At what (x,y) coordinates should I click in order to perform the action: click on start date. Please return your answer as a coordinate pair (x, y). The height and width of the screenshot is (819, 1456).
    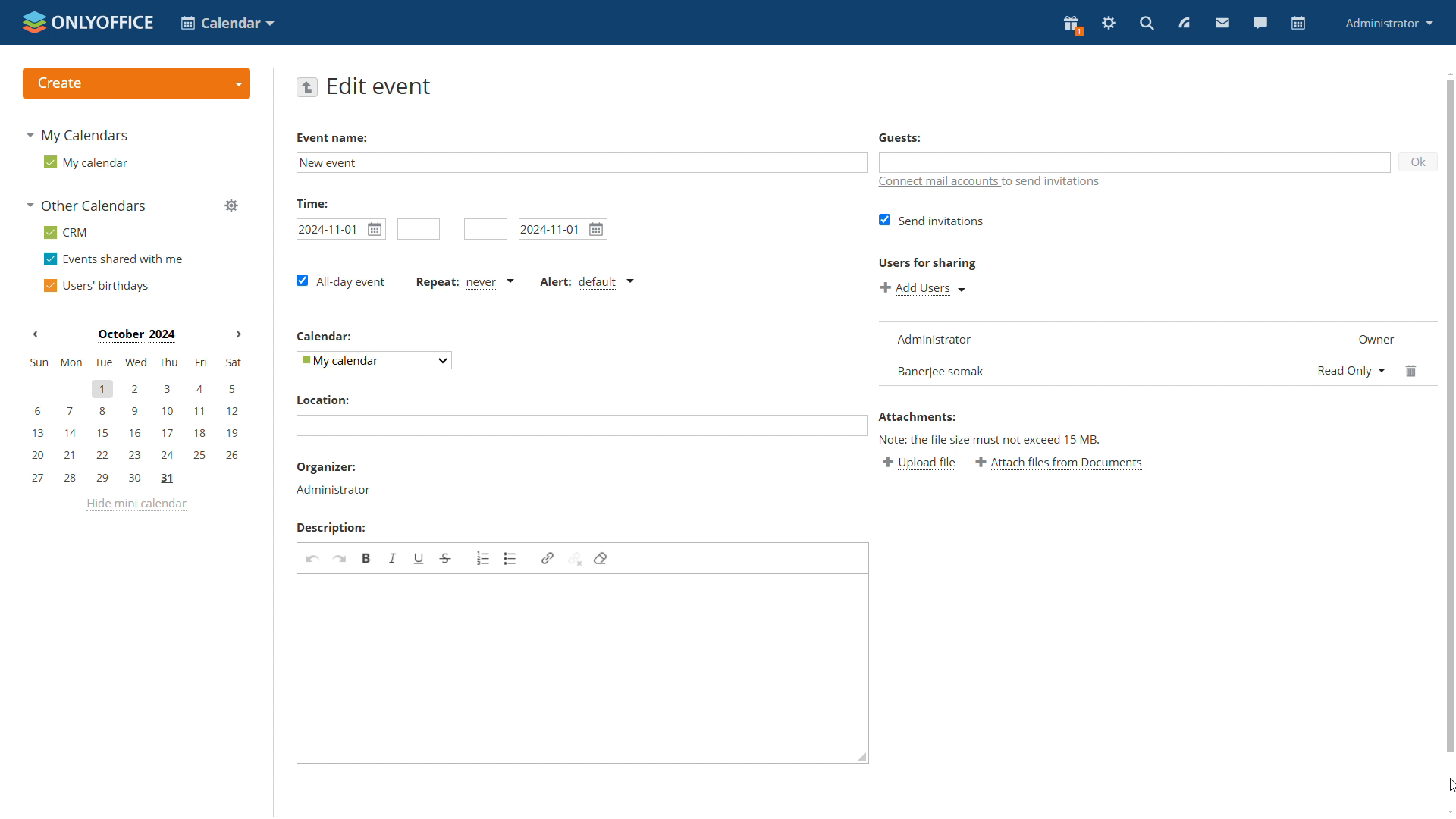
    Looking at the image, I should click on (339, 231).